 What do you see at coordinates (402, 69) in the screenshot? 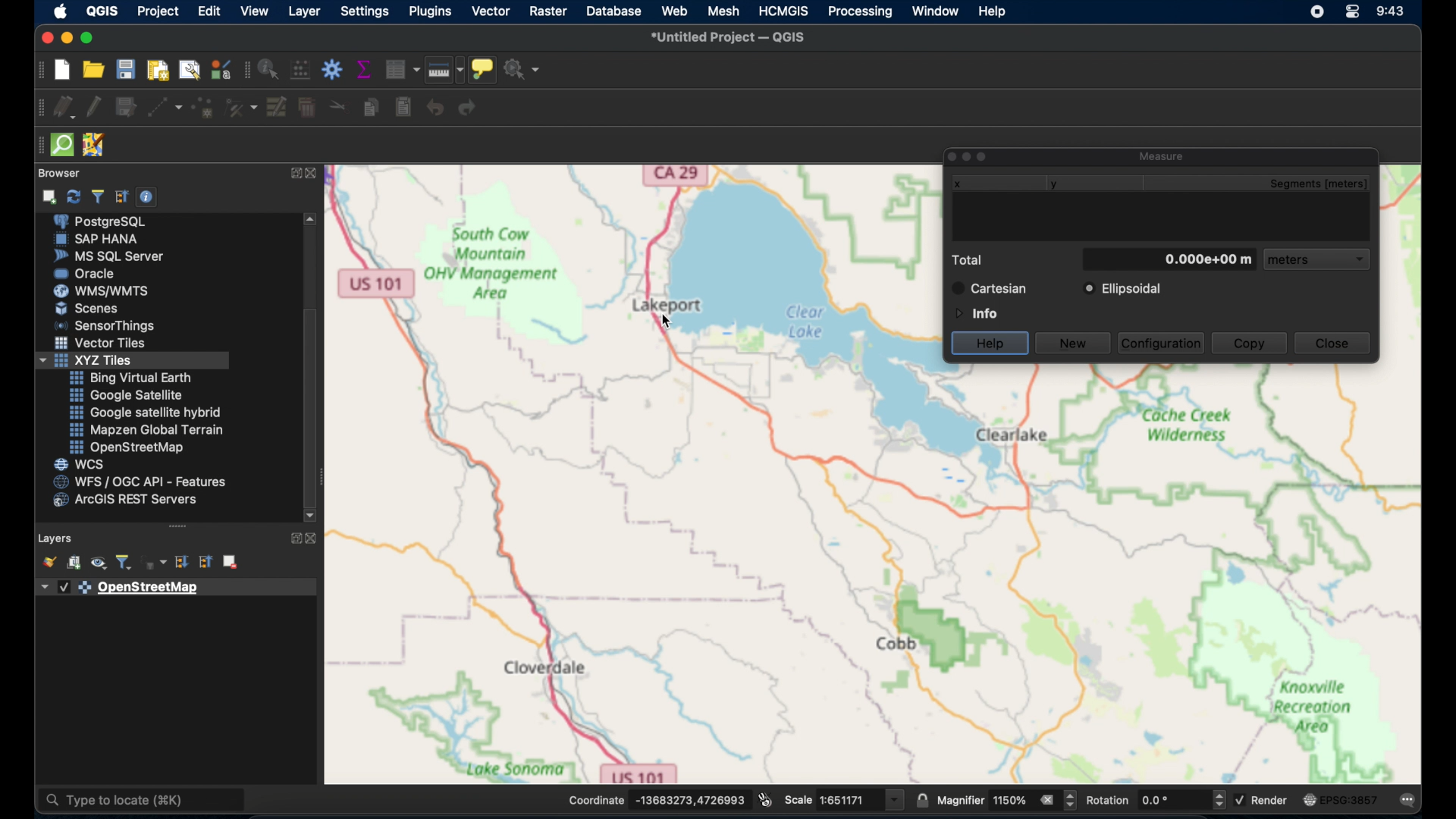
I see `show attributes table` at bounding box center [402, 69].